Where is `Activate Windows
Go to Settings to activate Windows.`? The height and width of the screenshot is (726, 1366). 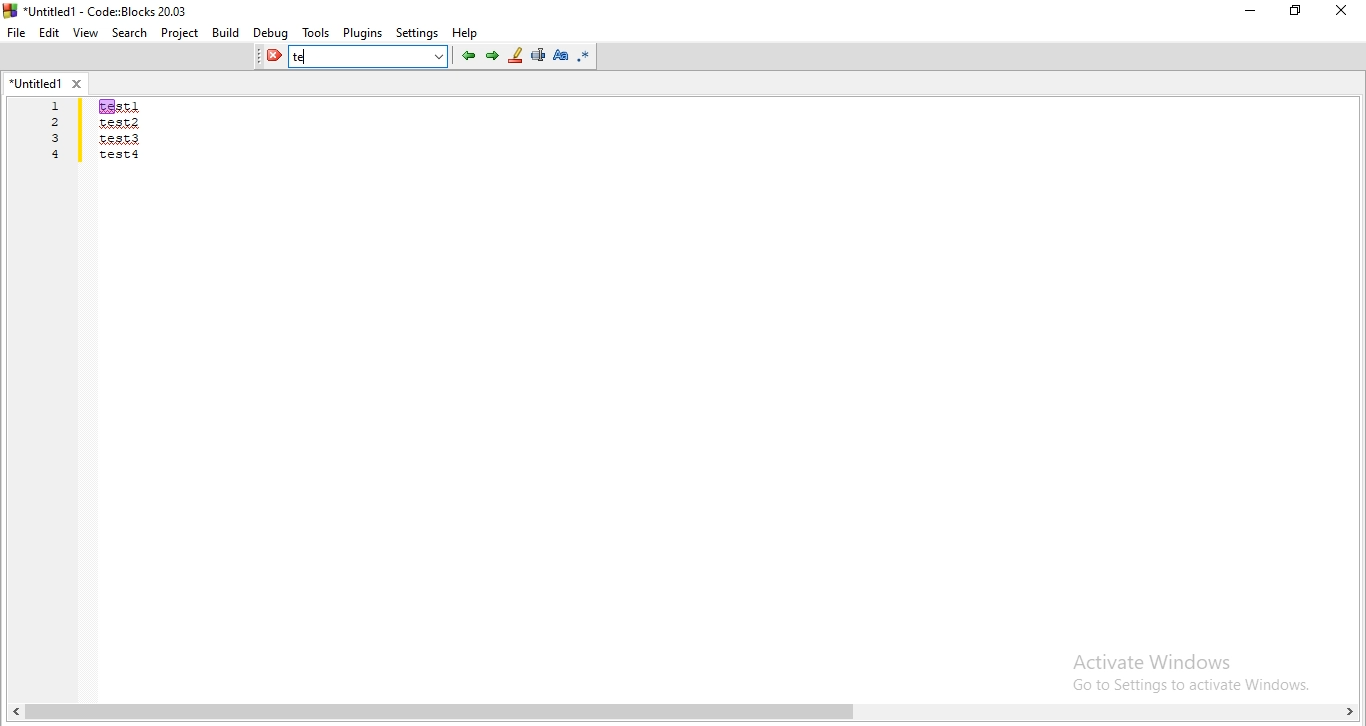 Activate Windows
Go to Settings to activate Windows. is located at coordinates (1185, 667).